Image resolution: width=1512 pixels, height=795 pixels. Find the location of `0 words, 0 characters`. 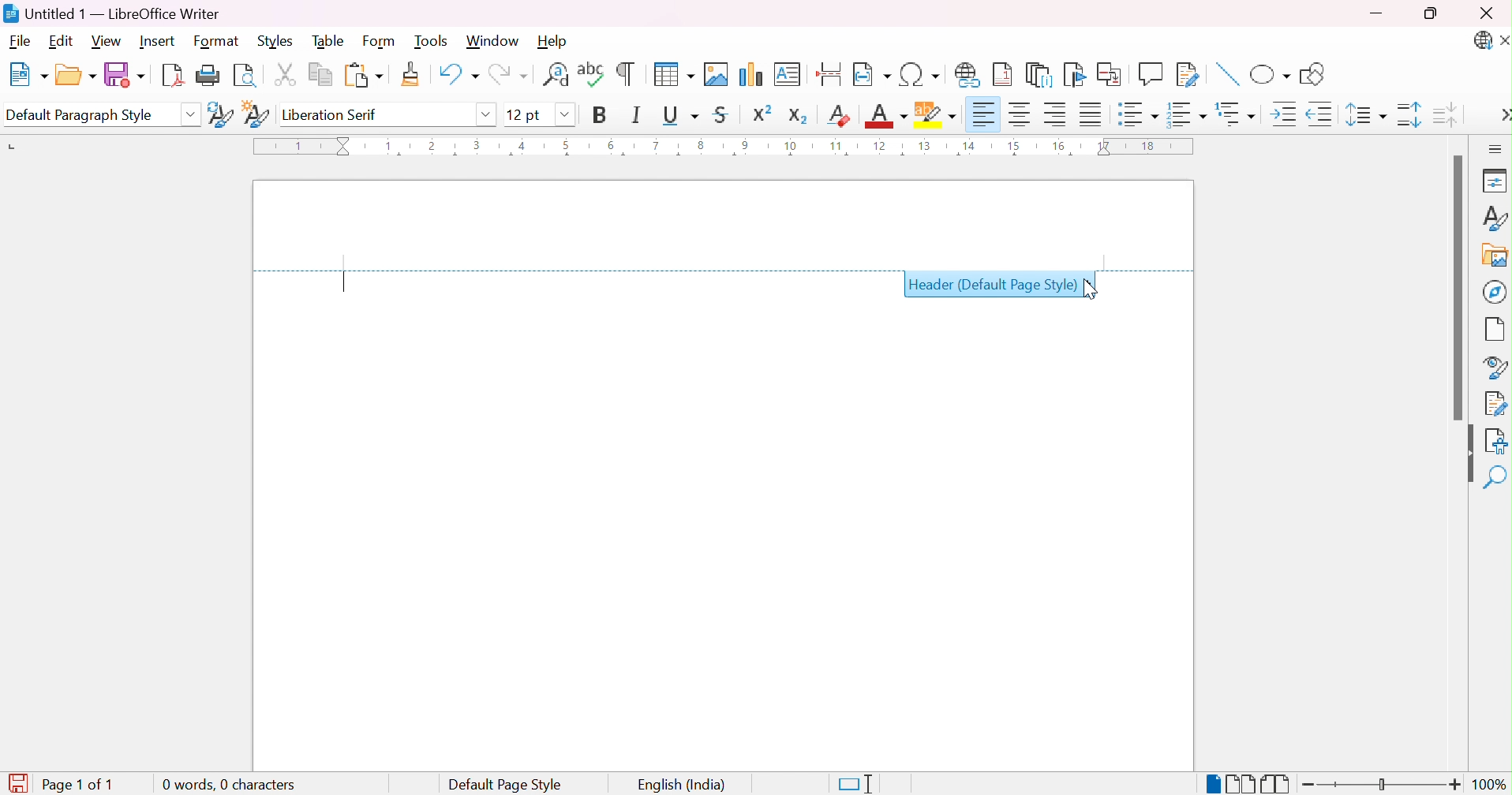

0 words, 0 characters is located at coordinates (229, 784).